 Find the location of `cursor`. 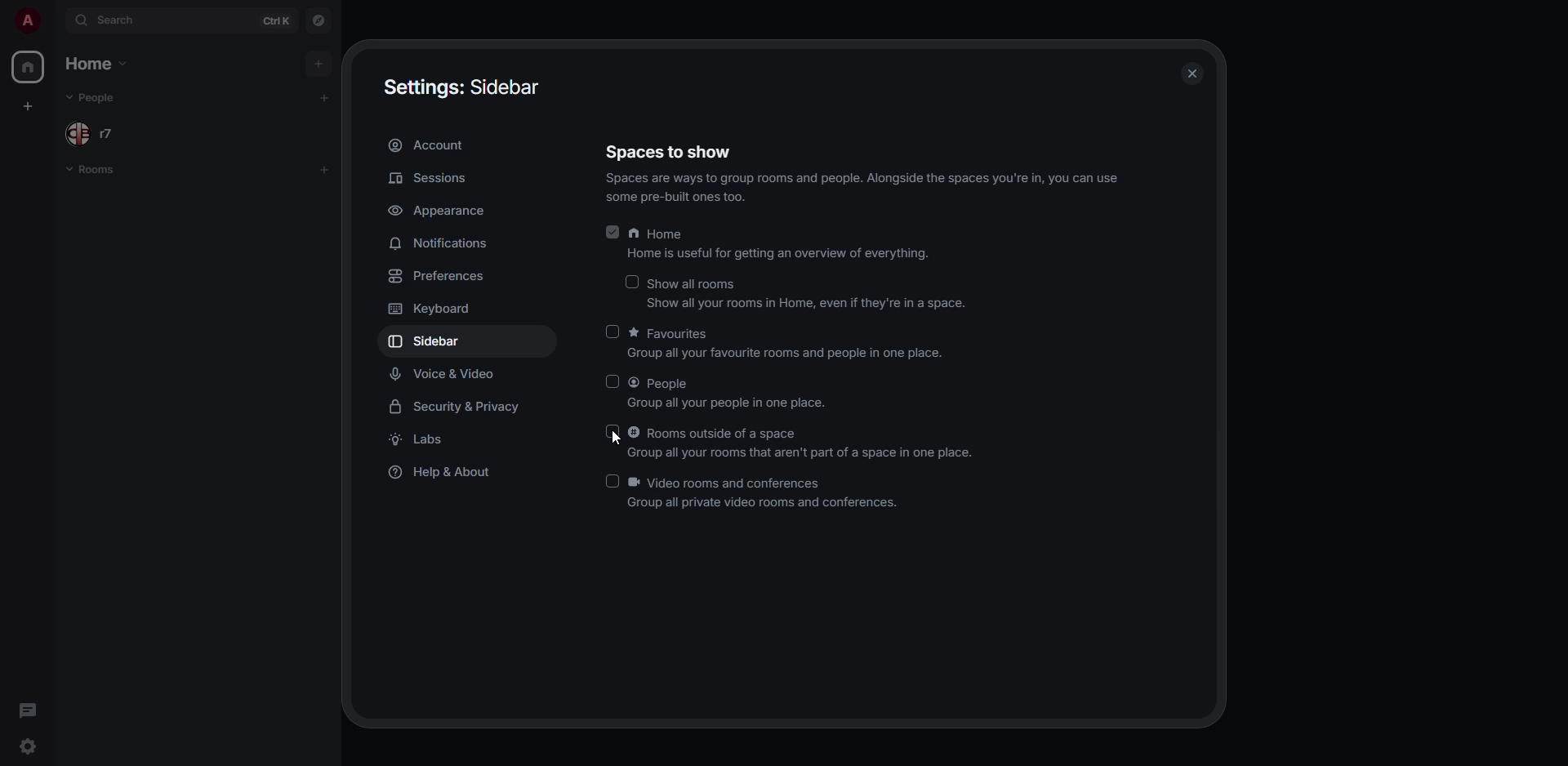

cursor is located at coordinates (612, 439).